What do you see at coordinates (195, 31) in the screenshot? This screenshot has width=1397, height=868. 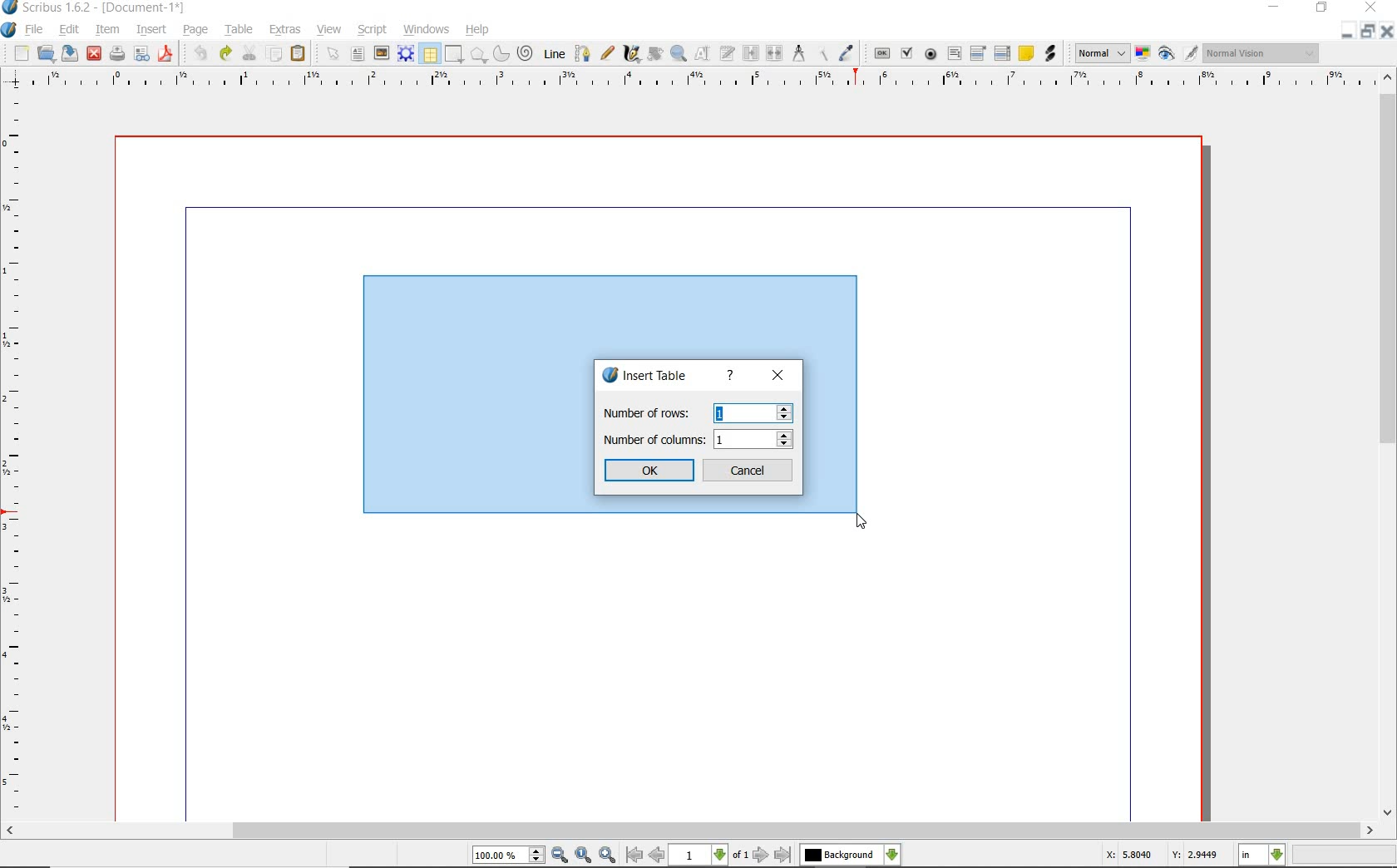 I see `page` at bounding box center [195, 31].